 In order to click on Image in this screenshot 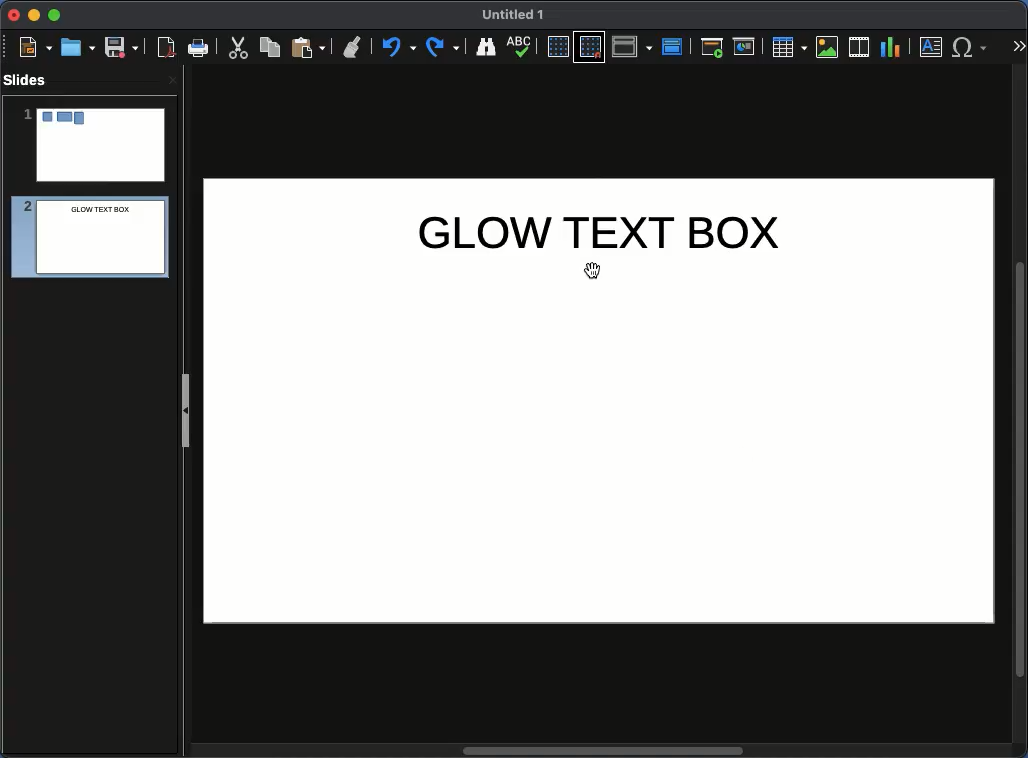, I will do `click(828, 47)`.